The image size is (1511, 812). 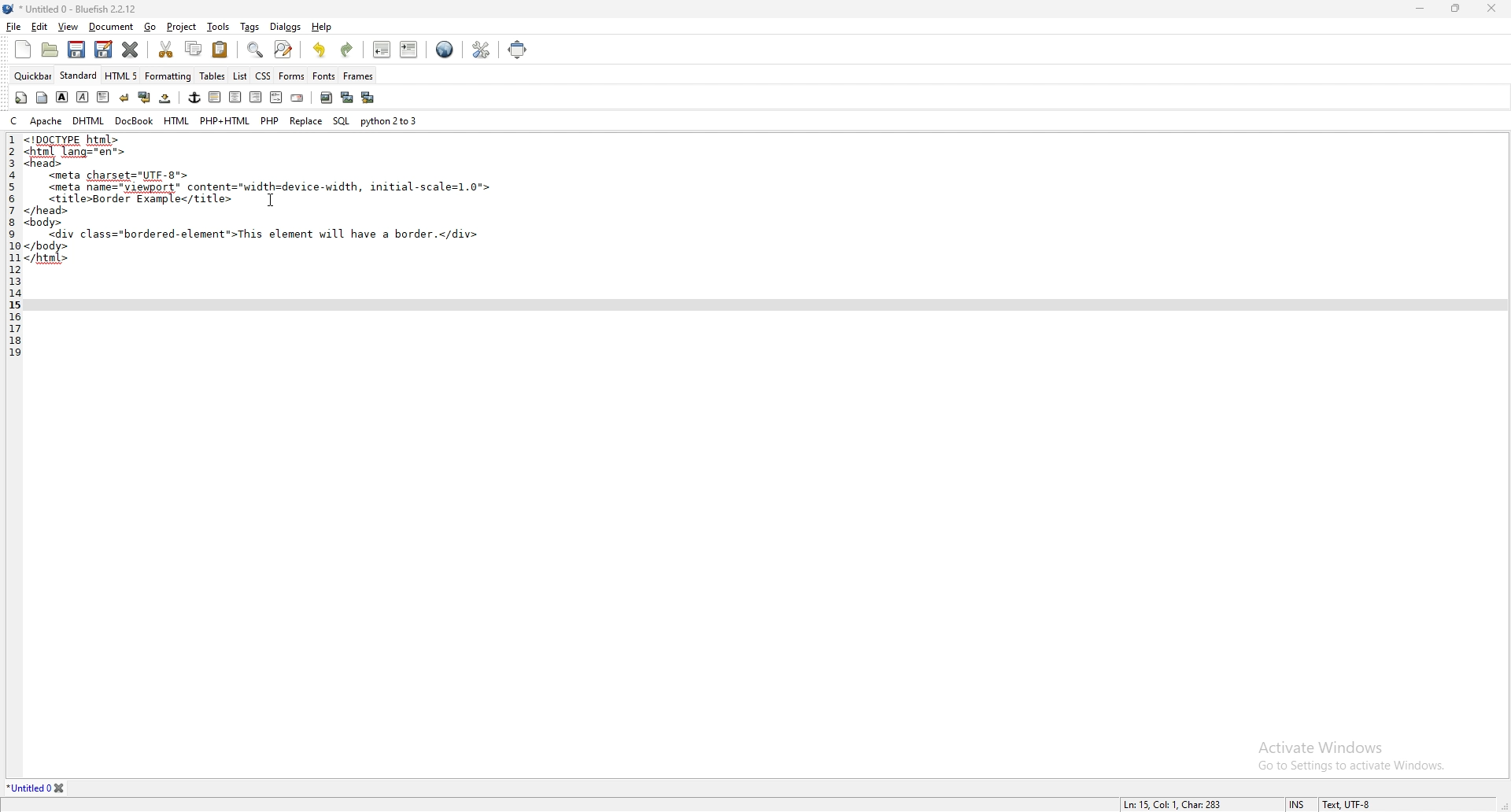 I want to click on anchor, so click(x=194, y=98).